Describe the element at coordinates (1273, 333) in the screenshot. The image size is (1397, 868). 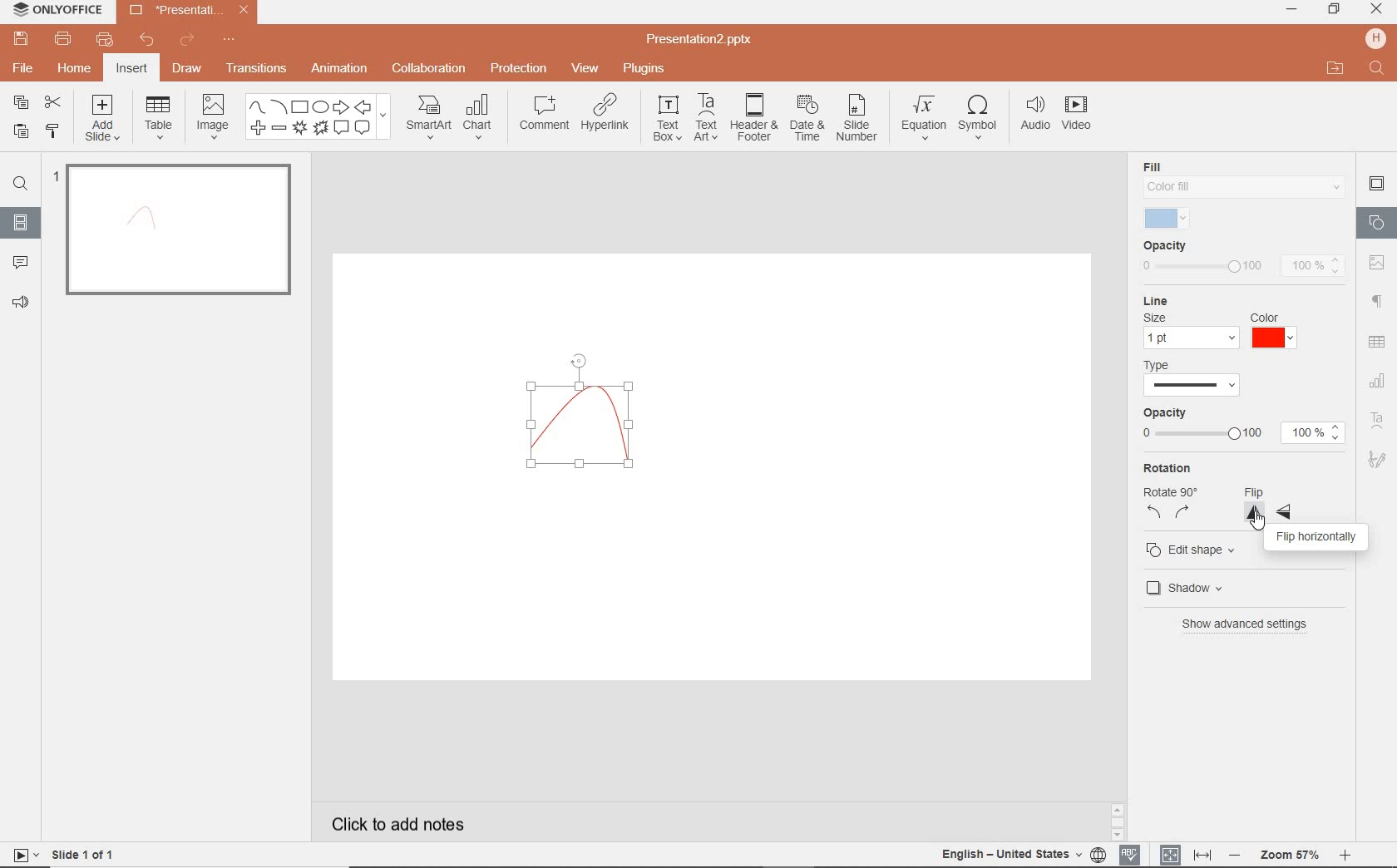
I see `red` at that location.